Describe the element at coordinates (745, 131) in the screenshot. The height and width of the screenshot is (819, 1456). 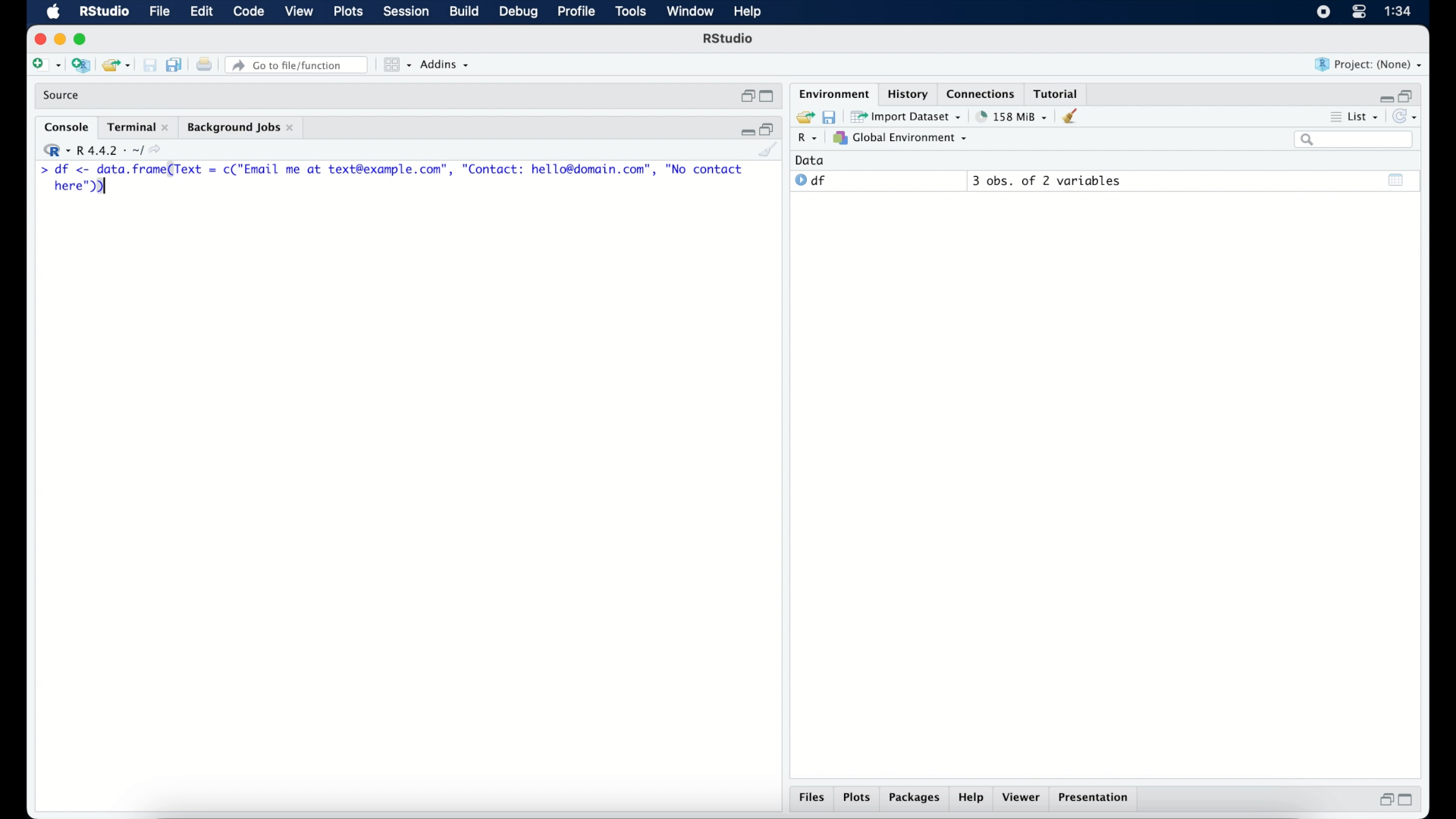
I see `minimize` at that location.